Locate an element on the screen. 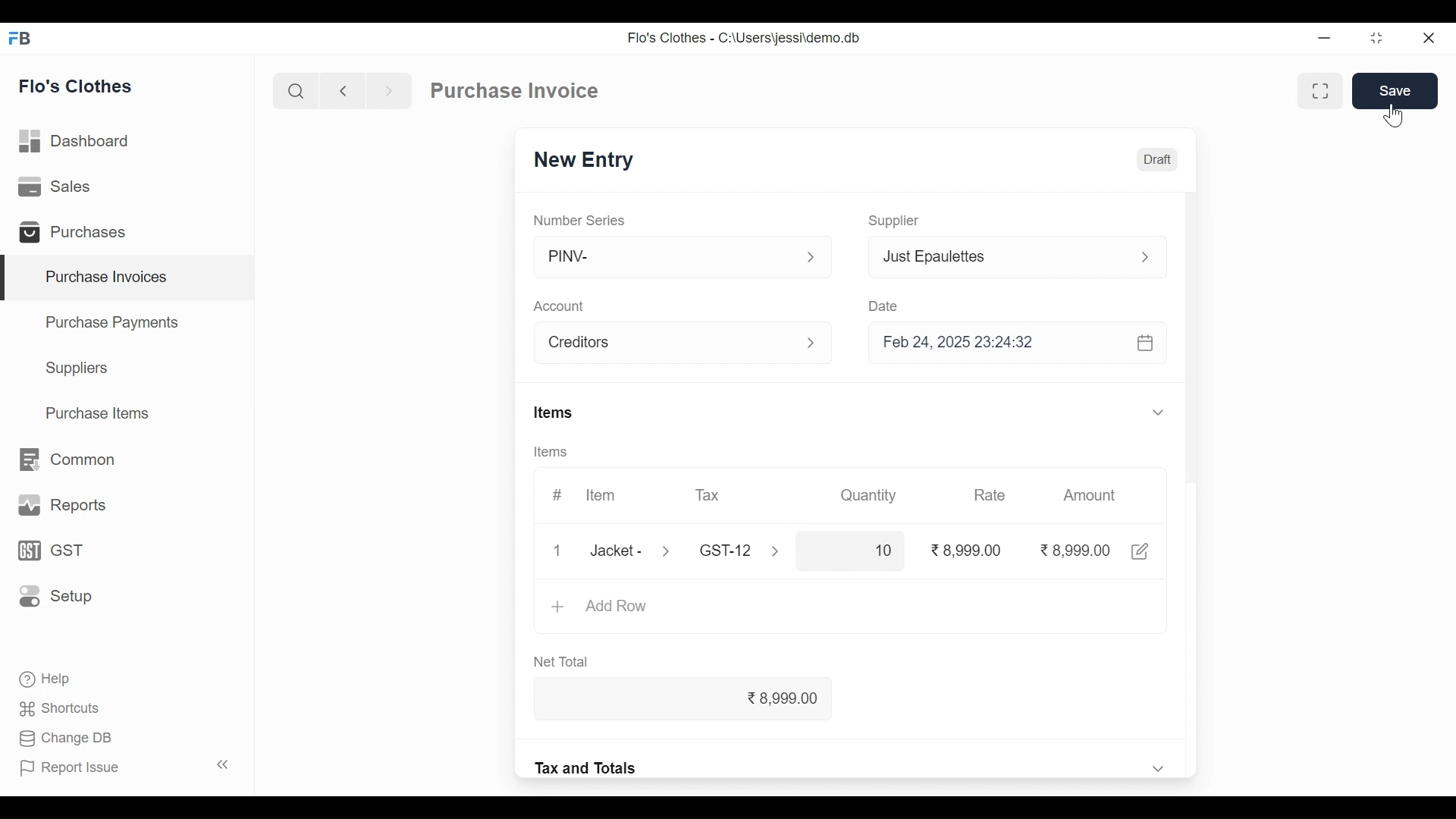 This screenshot has height=819, width=1456. Search is located at coordinates (297, 90).